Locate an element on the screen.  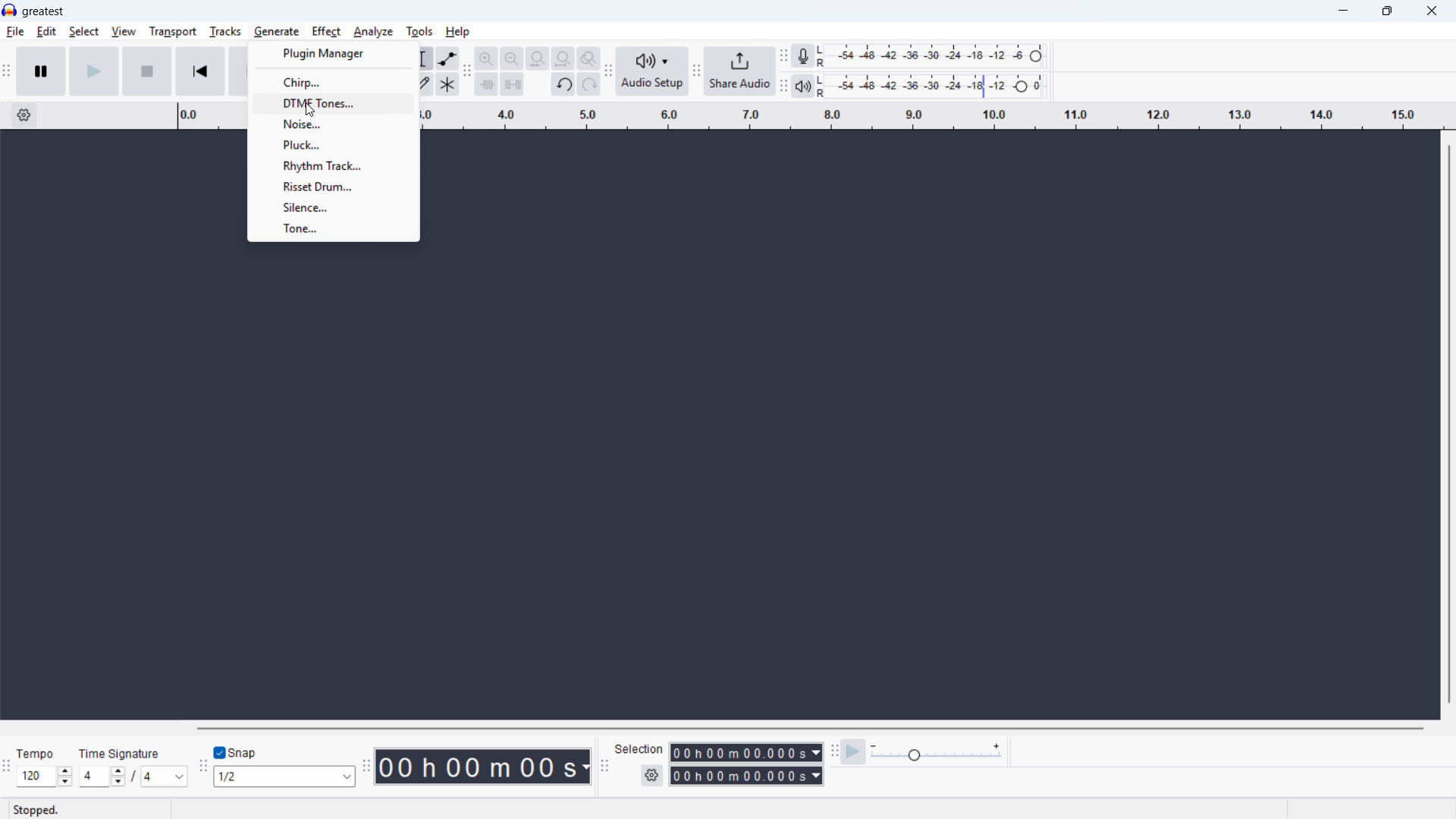
close  is located at coordinates (1432, 11).